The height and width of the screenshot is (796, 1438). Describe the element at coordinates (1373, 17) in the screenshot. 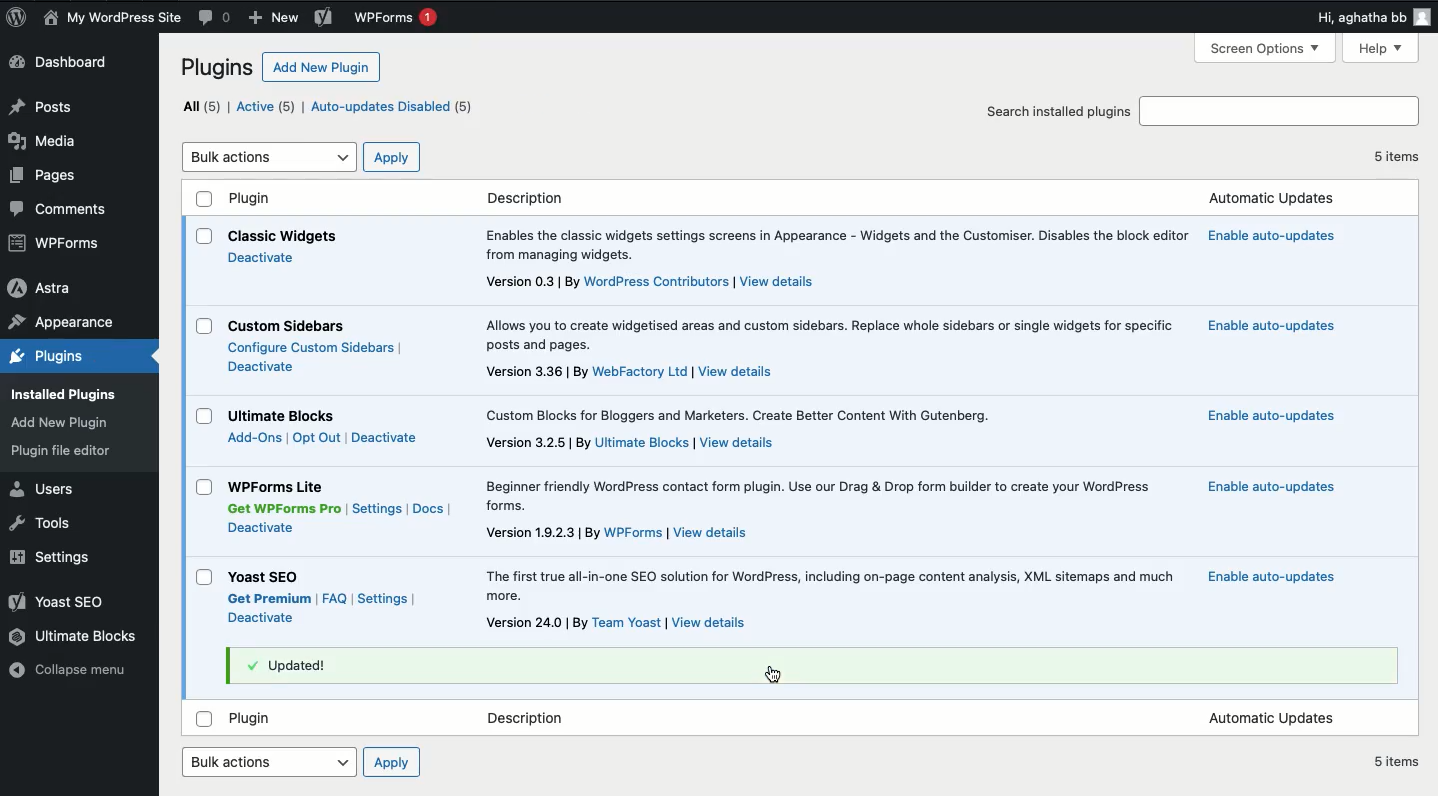

I see `Hi user` at that location.